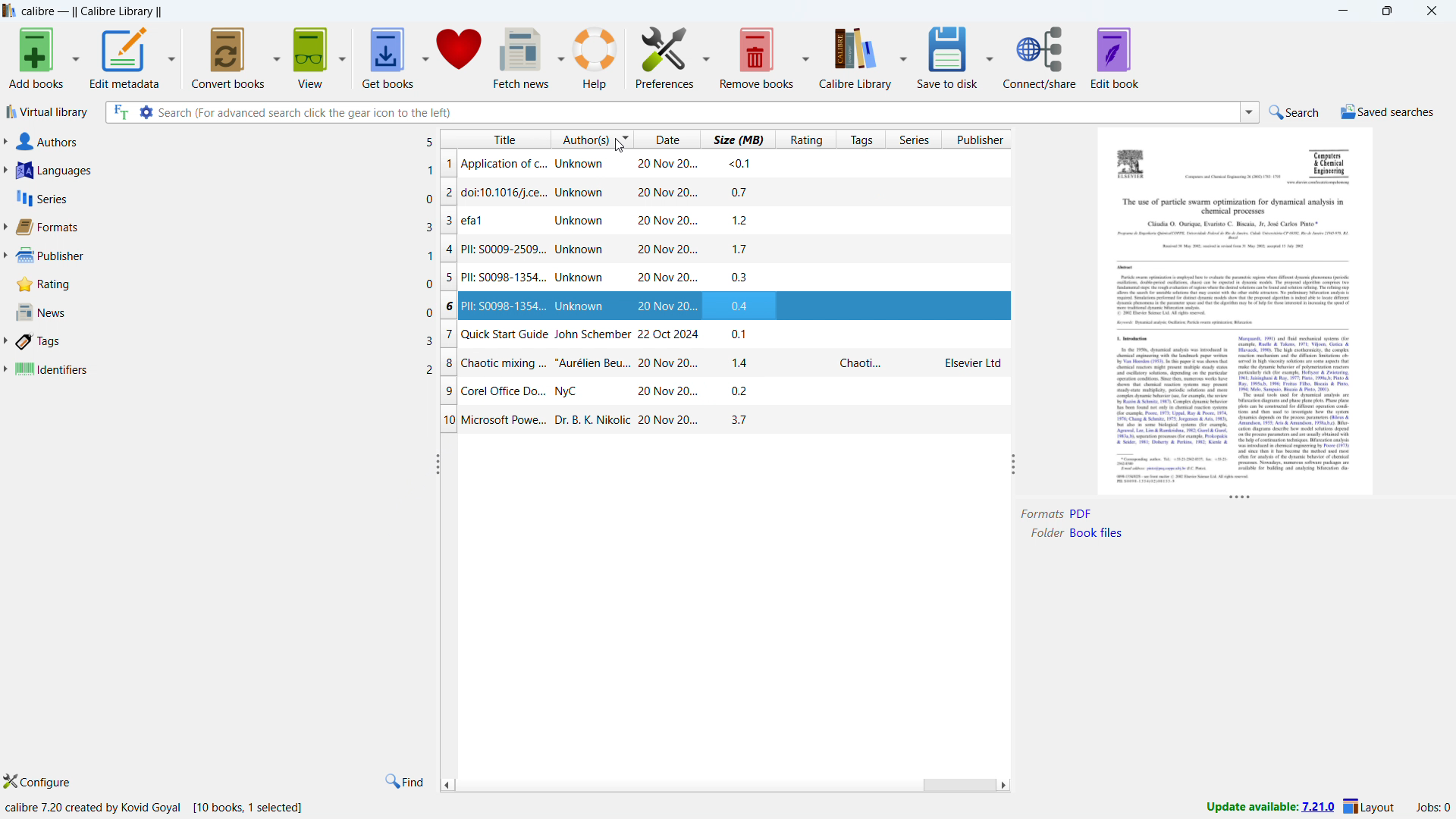  What do you see at coordinates (435, 463) in the screenshot?
I see `resize` at bounding box center [435, 463].